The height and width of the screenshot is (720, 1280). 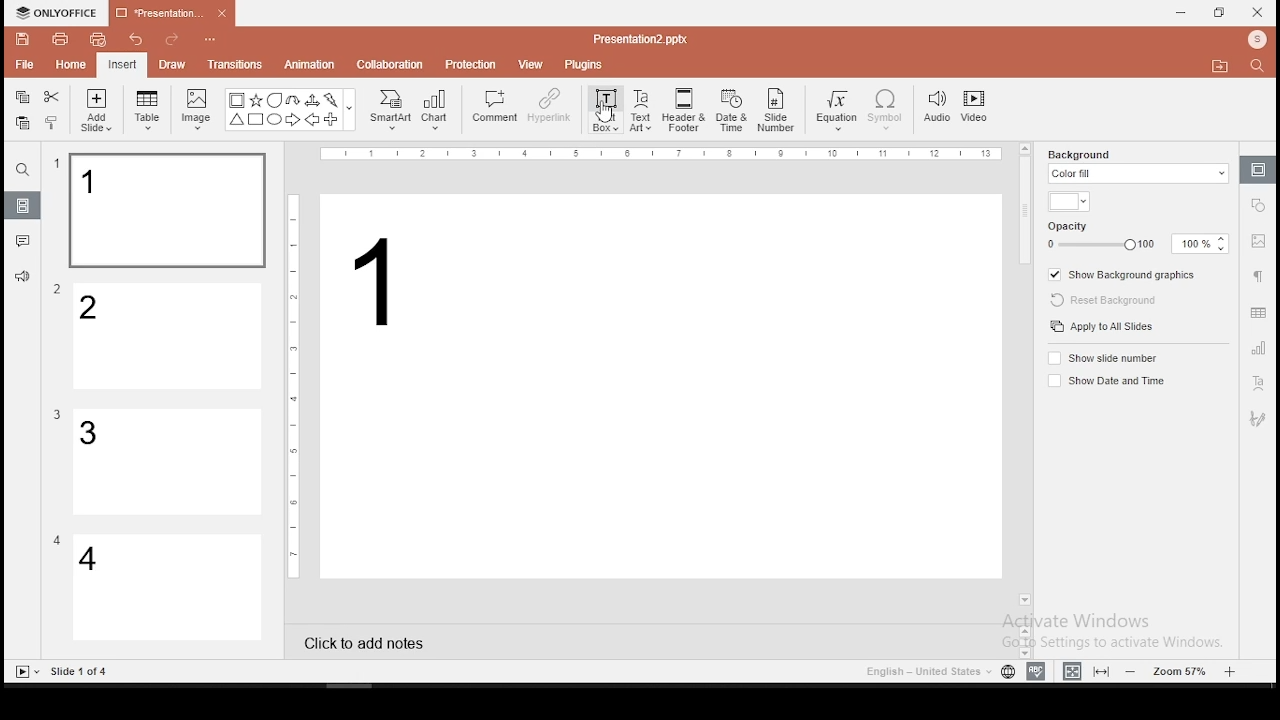 What do you see at coordinates (925, 672) in the screenshot?
I see `Language` at bounding box center [925, 672].